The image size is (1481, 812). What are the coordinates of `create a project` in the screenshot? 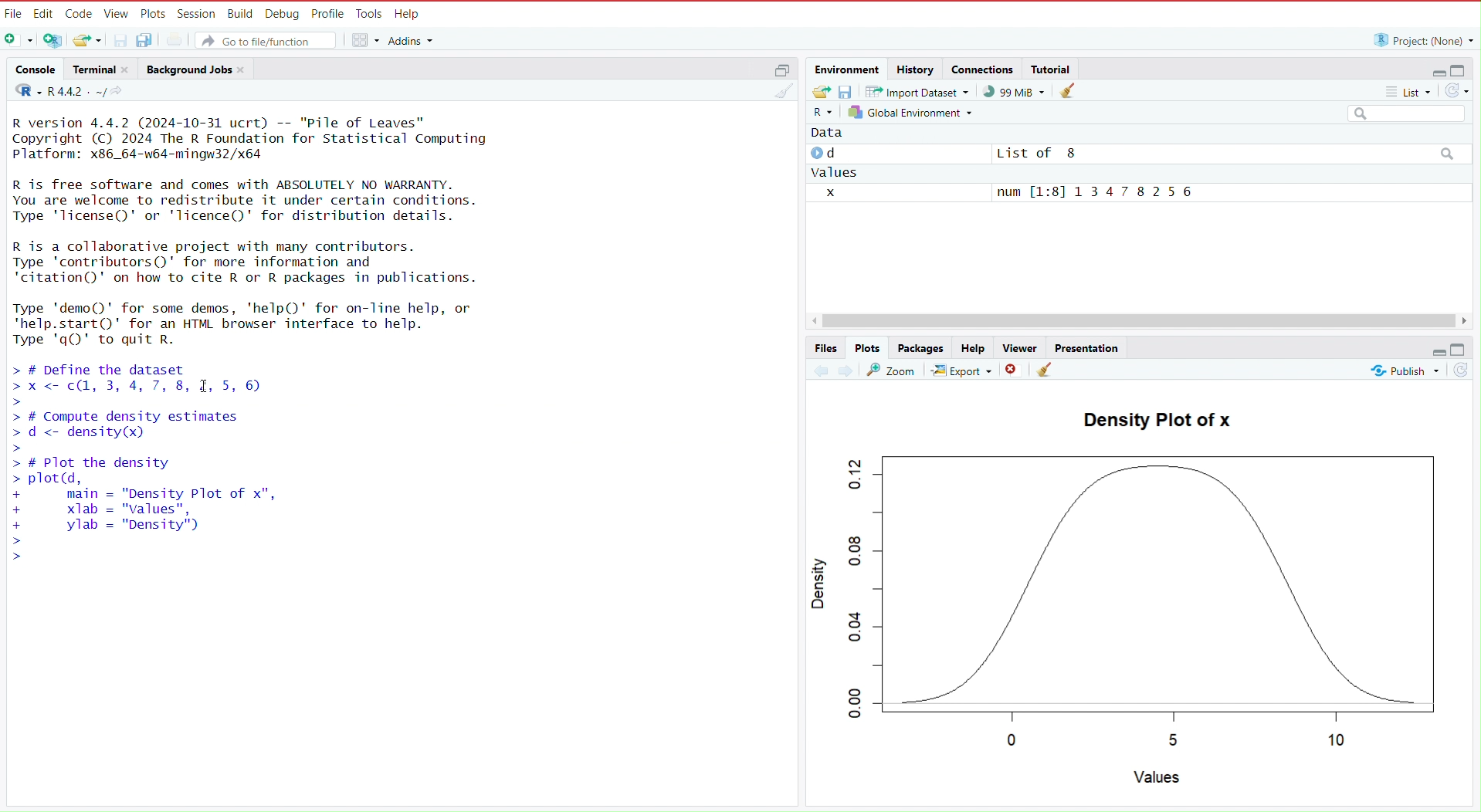 It's located at (51, 39).